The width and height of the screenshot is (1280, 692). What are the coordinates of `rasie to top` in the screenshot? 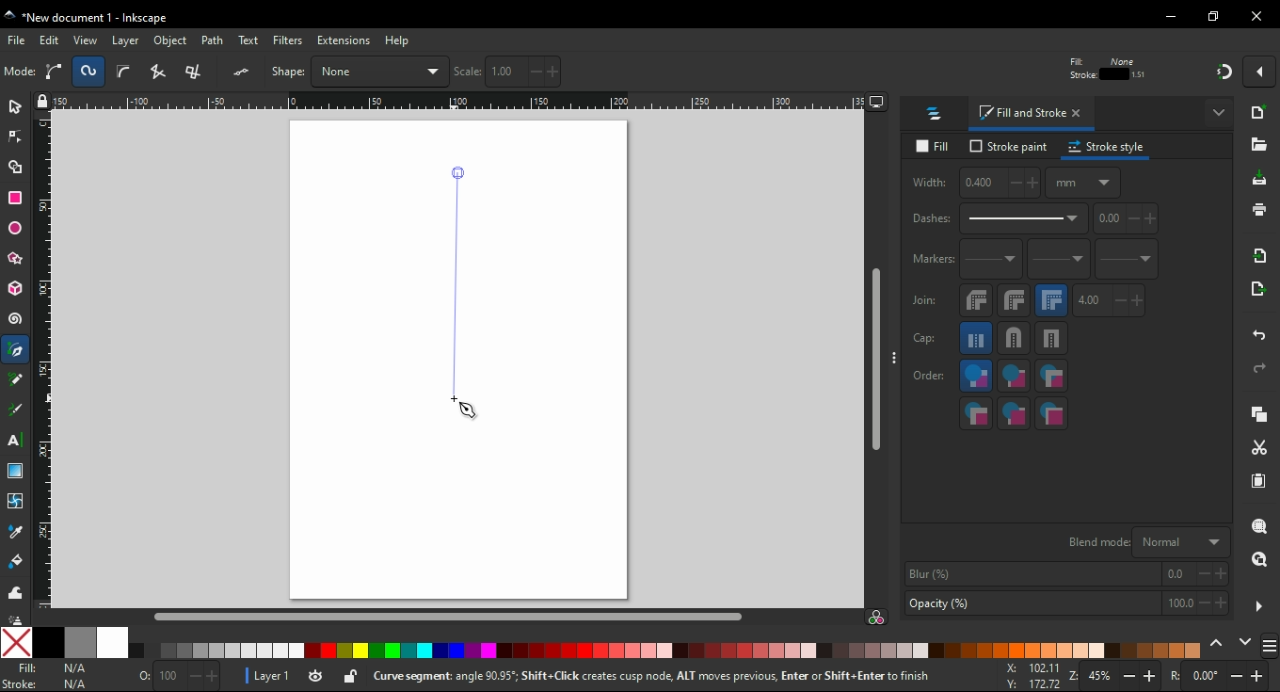 It's located at (328, 71).